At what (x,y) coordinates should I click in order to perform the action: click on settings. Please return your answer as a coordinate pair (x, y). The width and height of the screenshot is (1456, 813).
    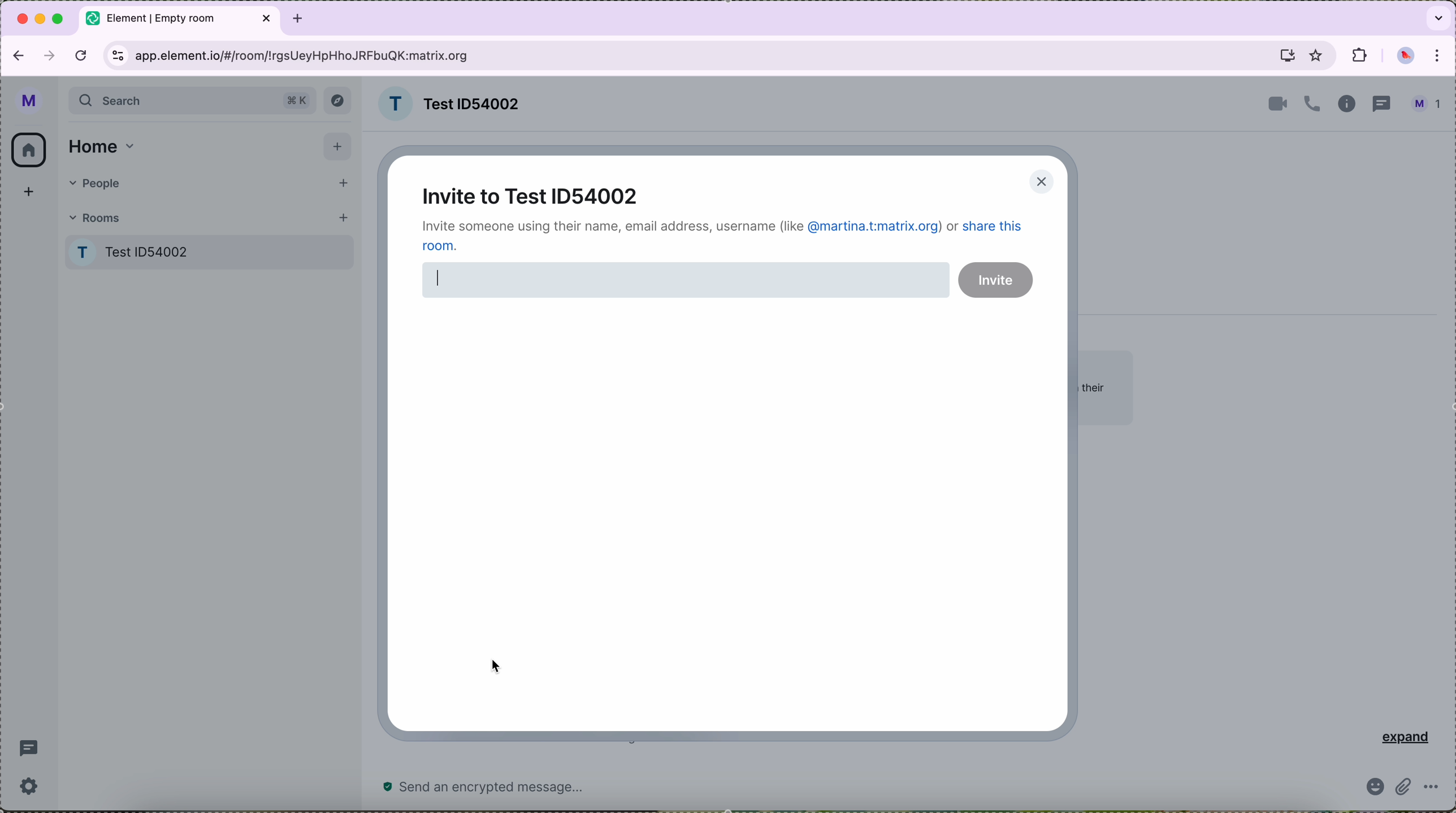
    Looking at the image, I should click on (29, 785).